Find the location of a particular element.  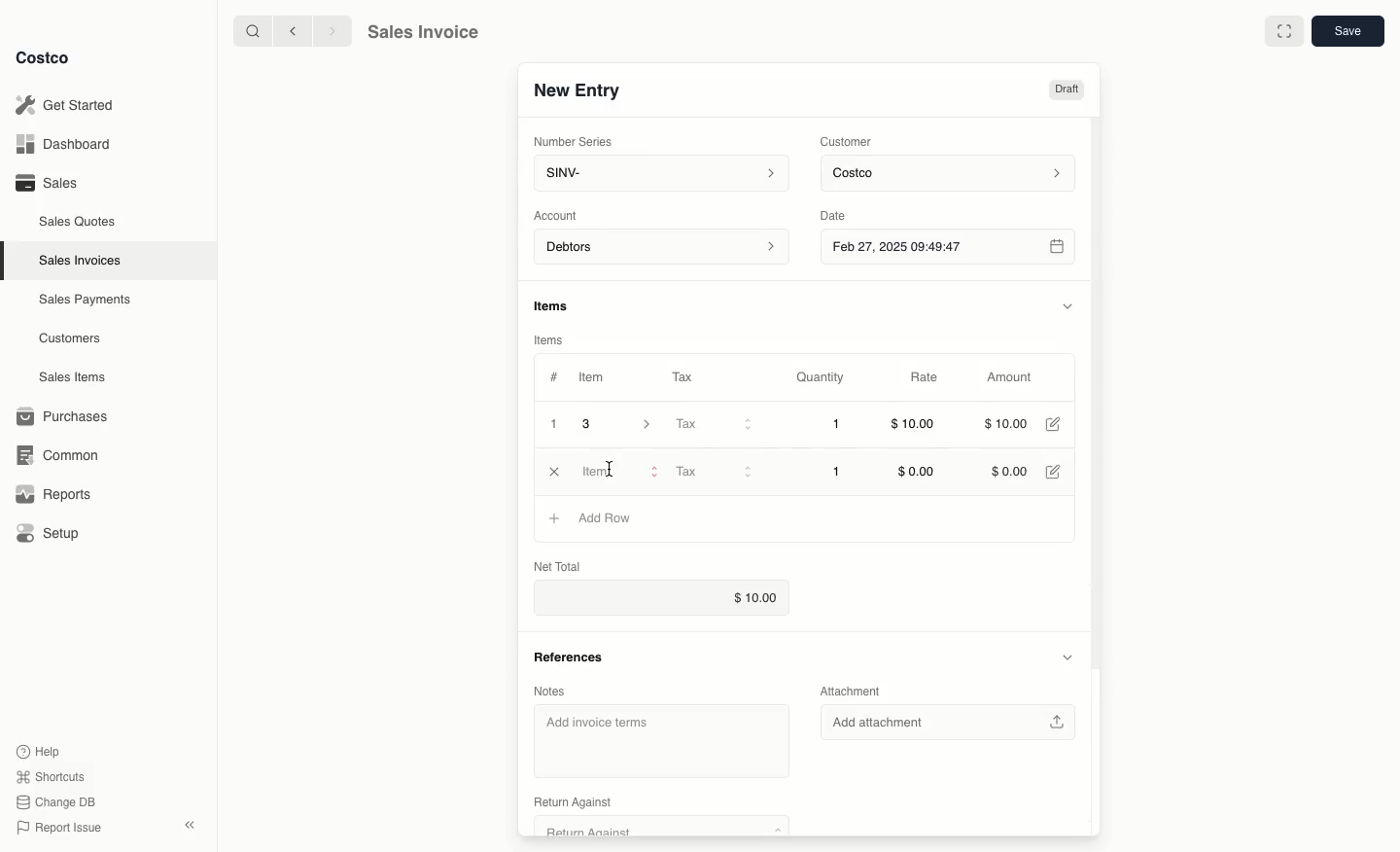

search is located at coordinates (249, 30).